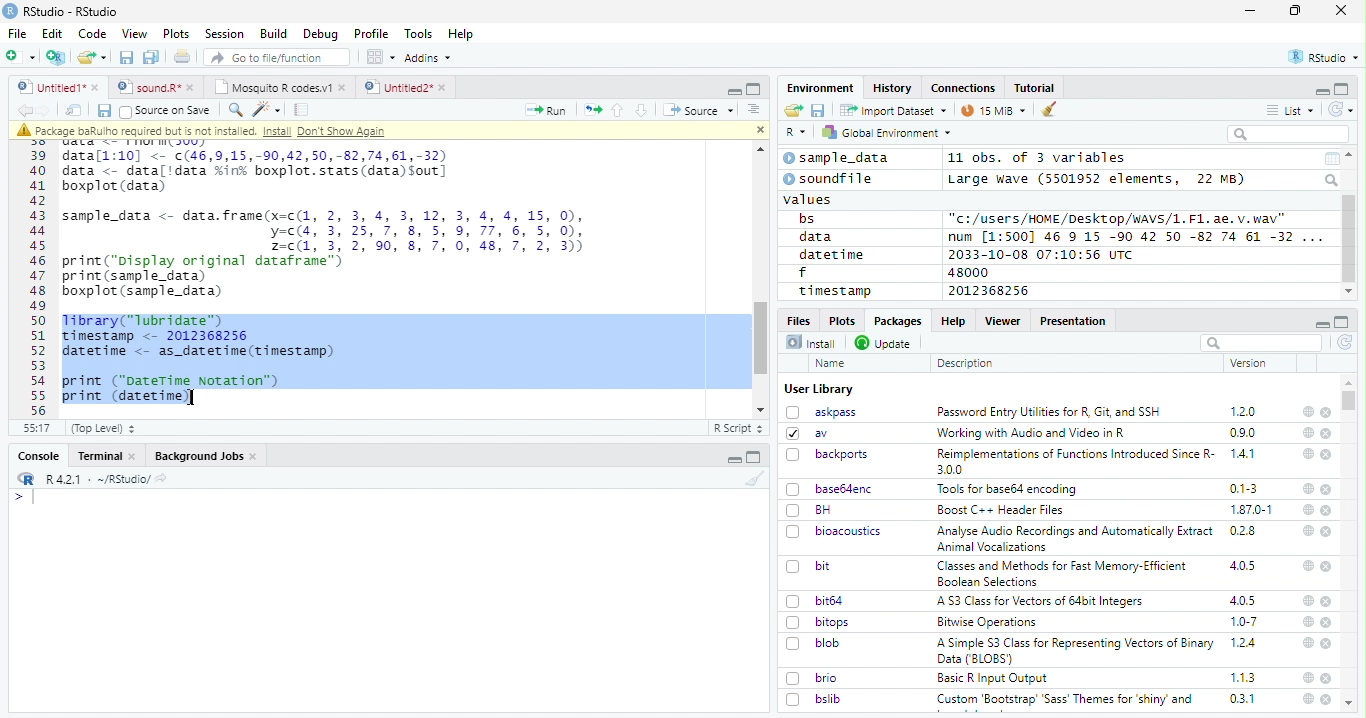  What do you see at coordinates (800, 319) in the screenshot?
I see `Files` at bounding box center [800, 319].